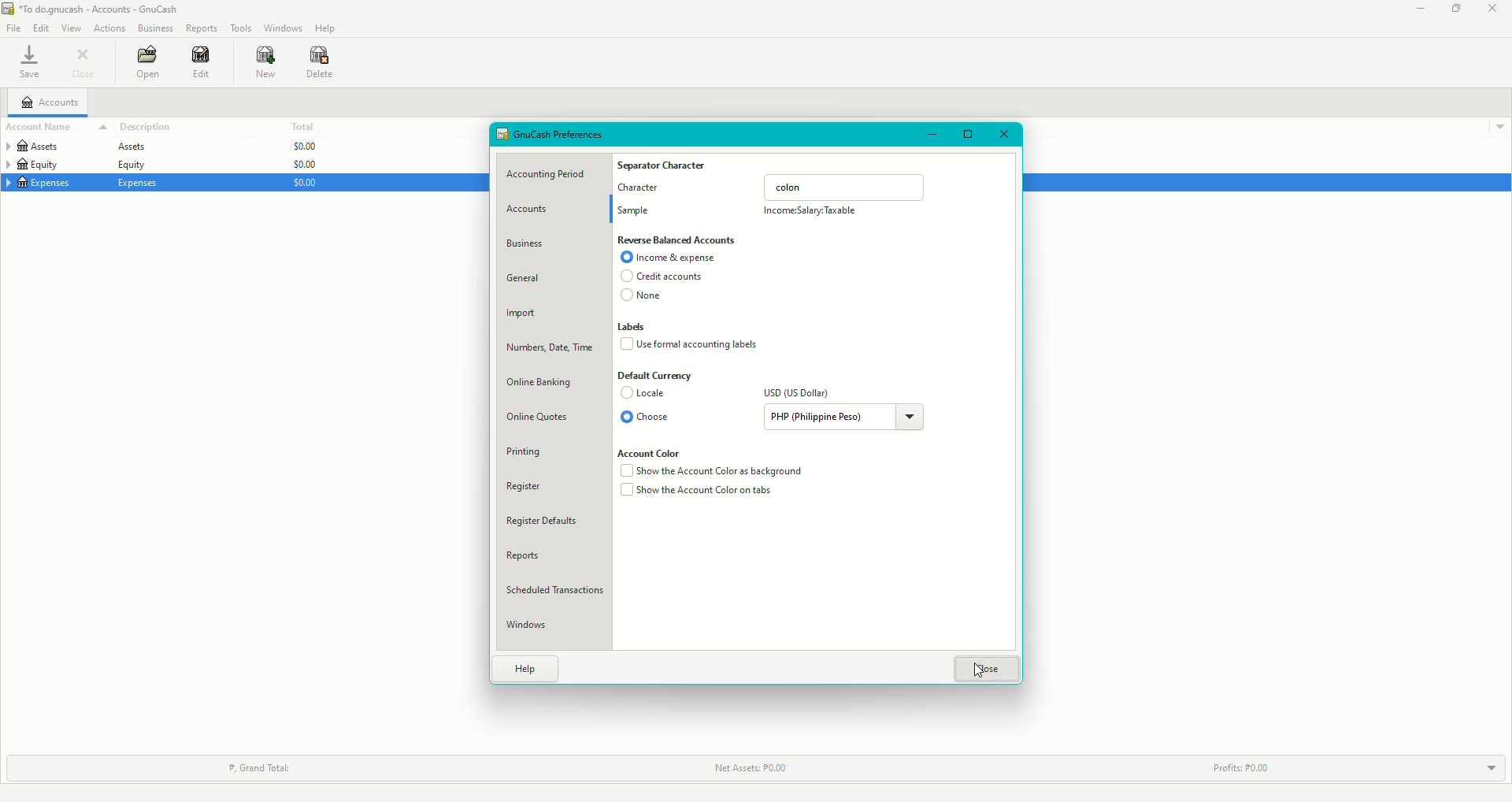 The height and width of the screenshot is (802, 1512). I want to click on labels, so click(634, 327).